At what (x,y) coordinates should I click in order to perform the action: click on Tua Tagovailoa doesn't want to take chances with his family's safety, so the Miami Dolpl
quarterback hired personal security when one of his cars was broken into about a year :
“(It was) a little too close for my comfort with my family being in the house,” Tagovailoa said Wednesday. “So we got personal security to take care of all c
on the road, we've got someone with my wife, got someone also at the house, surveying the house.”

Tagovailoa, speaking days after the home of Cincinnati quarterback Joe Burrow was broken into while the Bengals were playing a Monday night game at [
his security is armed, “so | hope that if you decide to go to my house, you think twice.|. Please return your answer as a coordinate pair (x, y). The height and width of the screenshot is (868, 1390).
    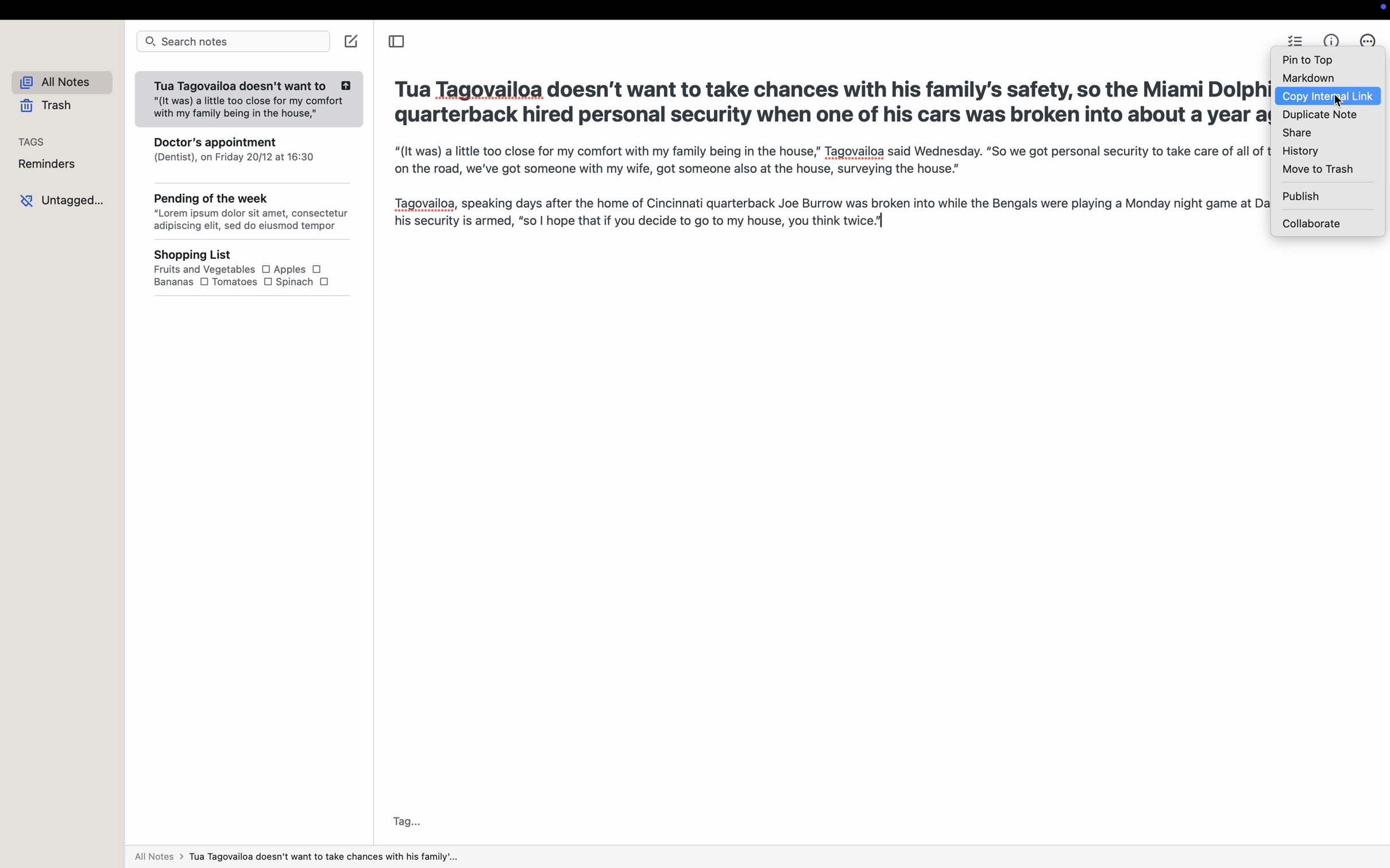
    Looking at the image, I should click on (814, 163).